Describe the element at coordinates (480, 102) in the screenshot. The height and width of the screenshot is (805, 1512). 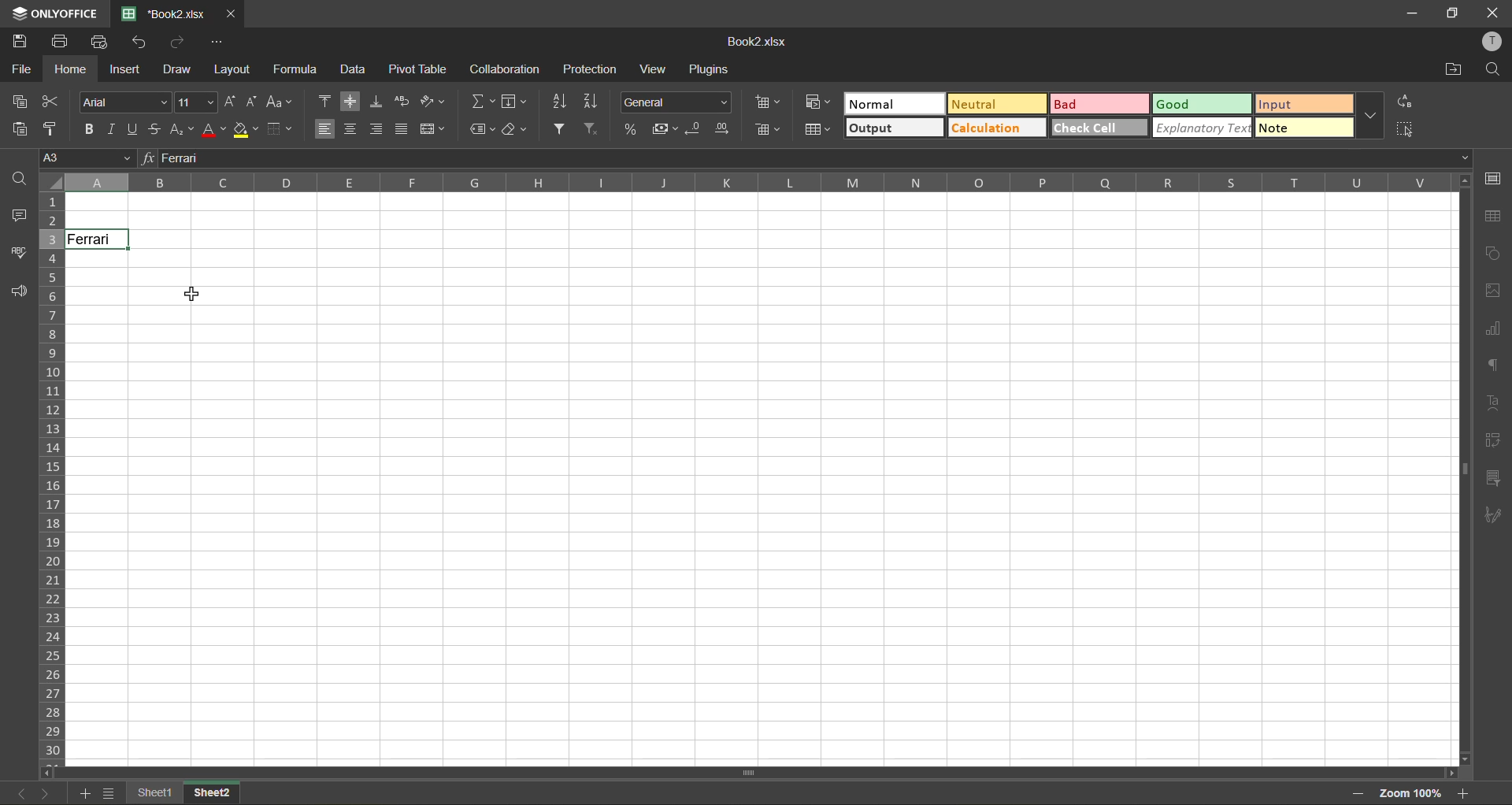
I see `summation` at that location.